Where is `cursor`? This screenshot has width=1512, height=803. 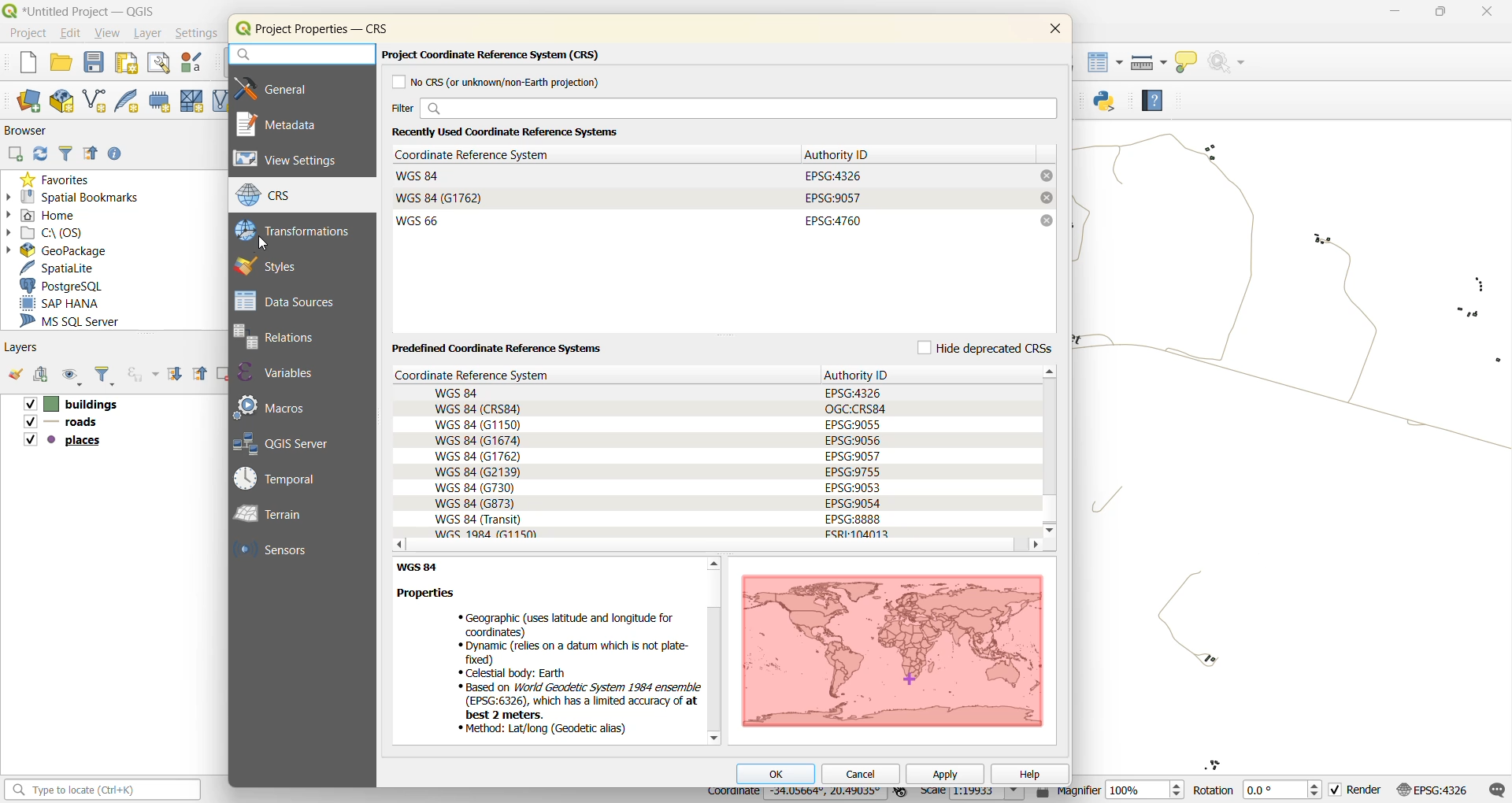 cursor is located at coordinates (264, 242).